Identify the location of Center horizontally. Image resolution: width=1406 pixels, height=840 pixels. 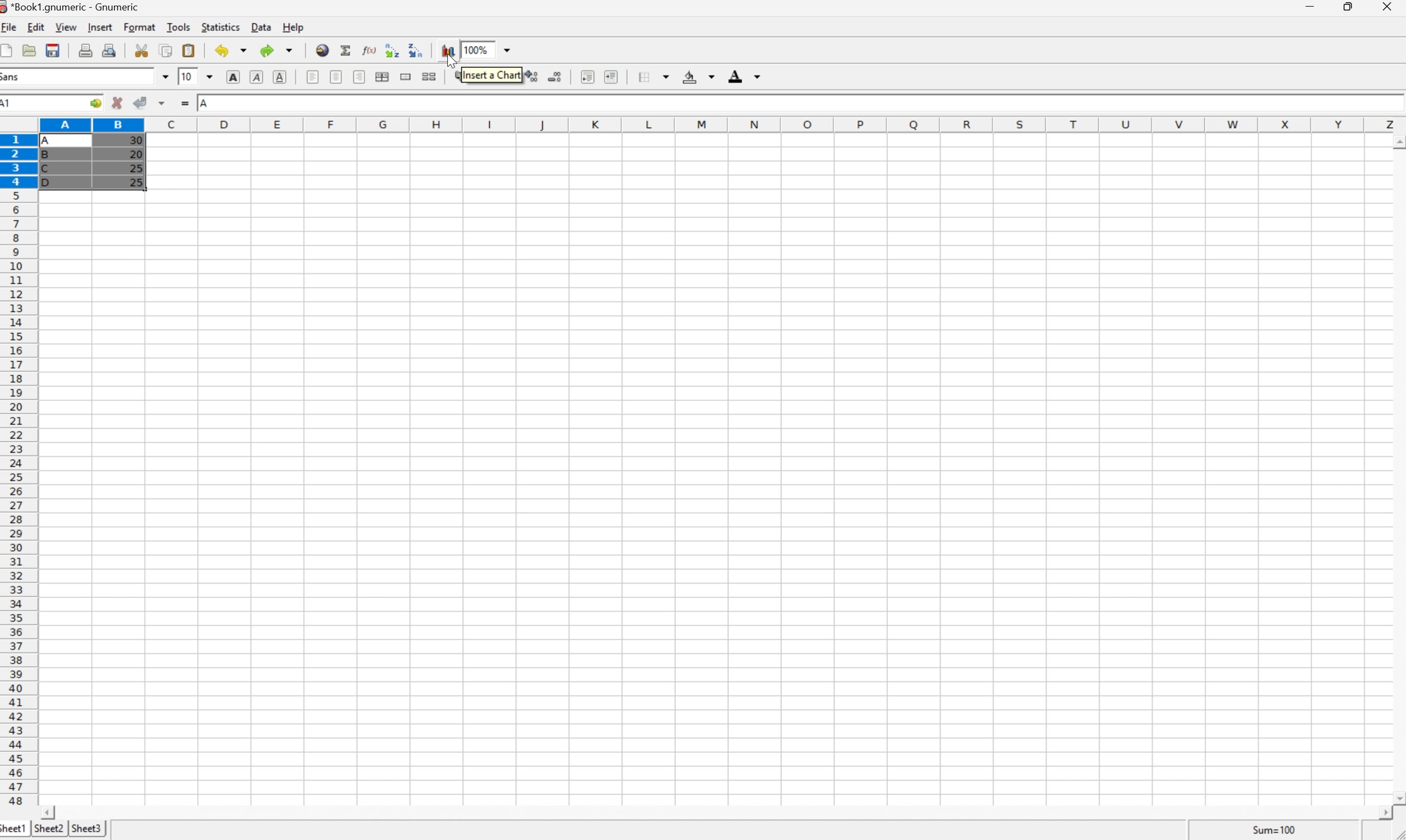
(337, 78).